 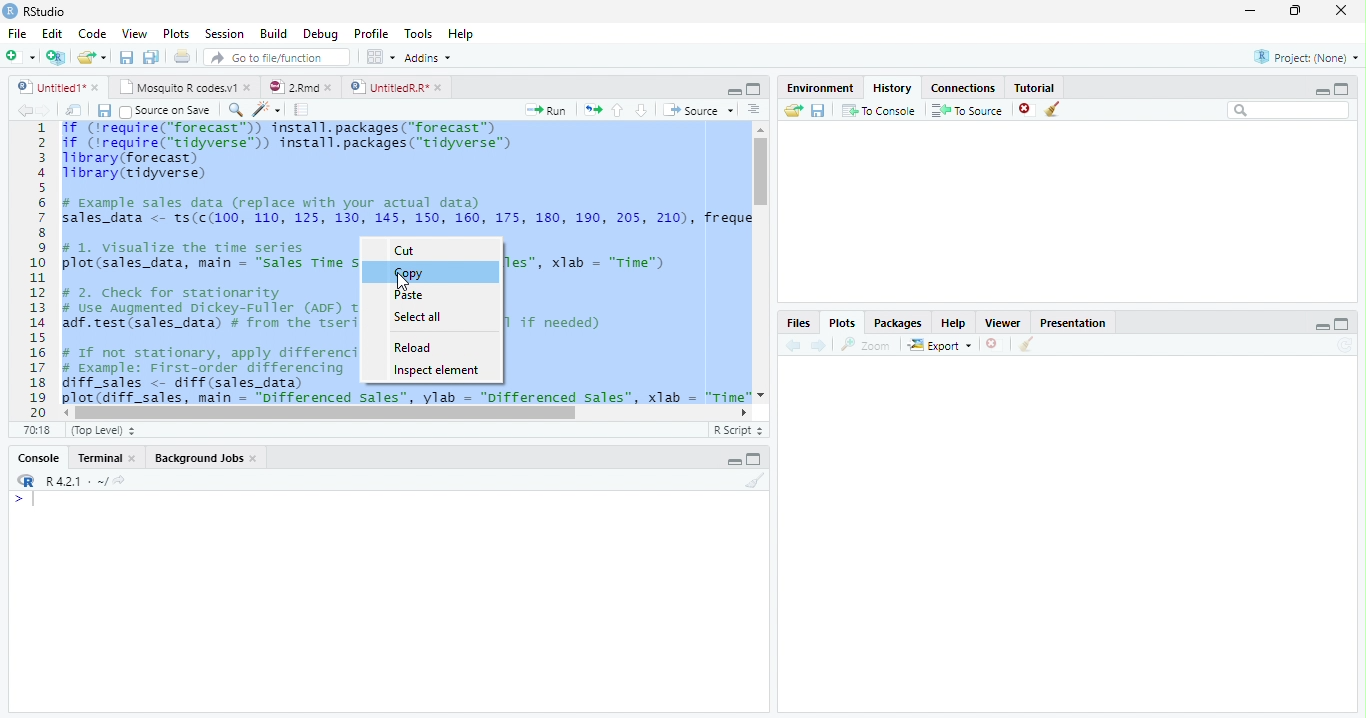 I want to click on Presentation, so click(x=1073, y=323).